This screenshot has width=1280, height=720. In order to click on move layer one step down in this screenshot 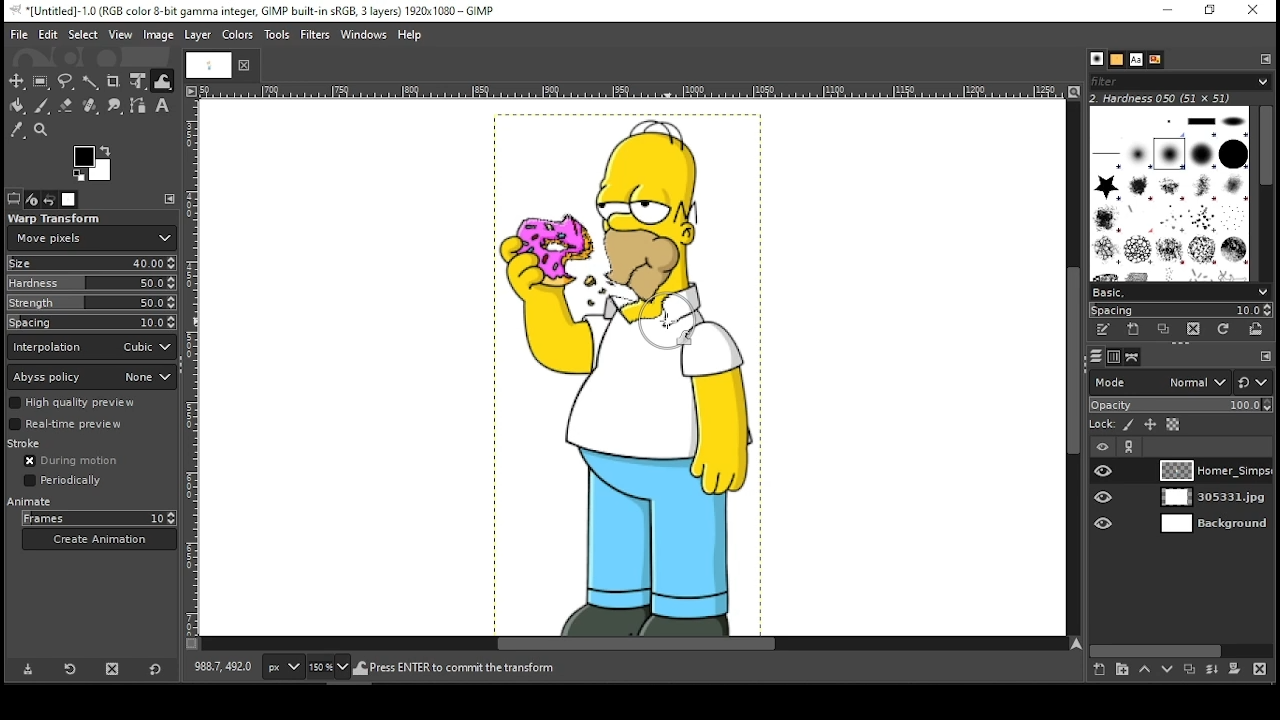, I will do `click(1167, 672)`.